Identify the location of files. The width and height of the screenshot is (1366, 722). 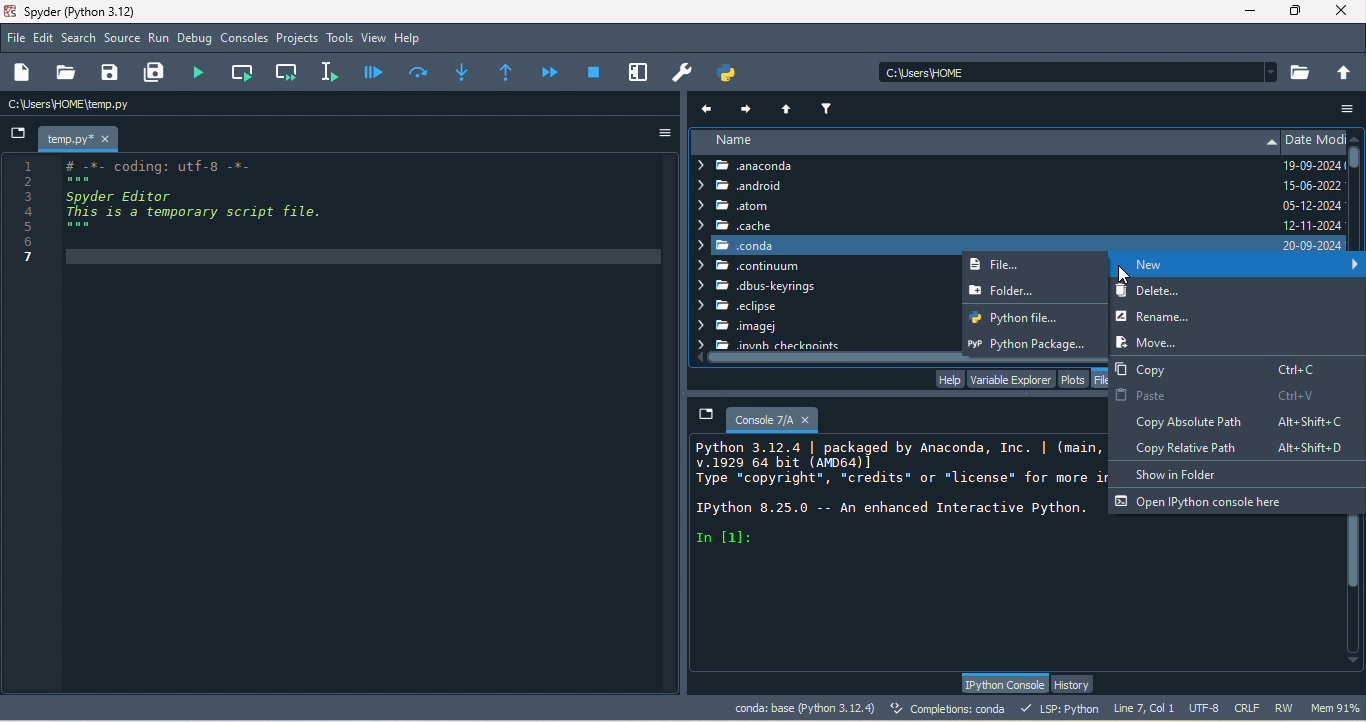
(1103, 378).